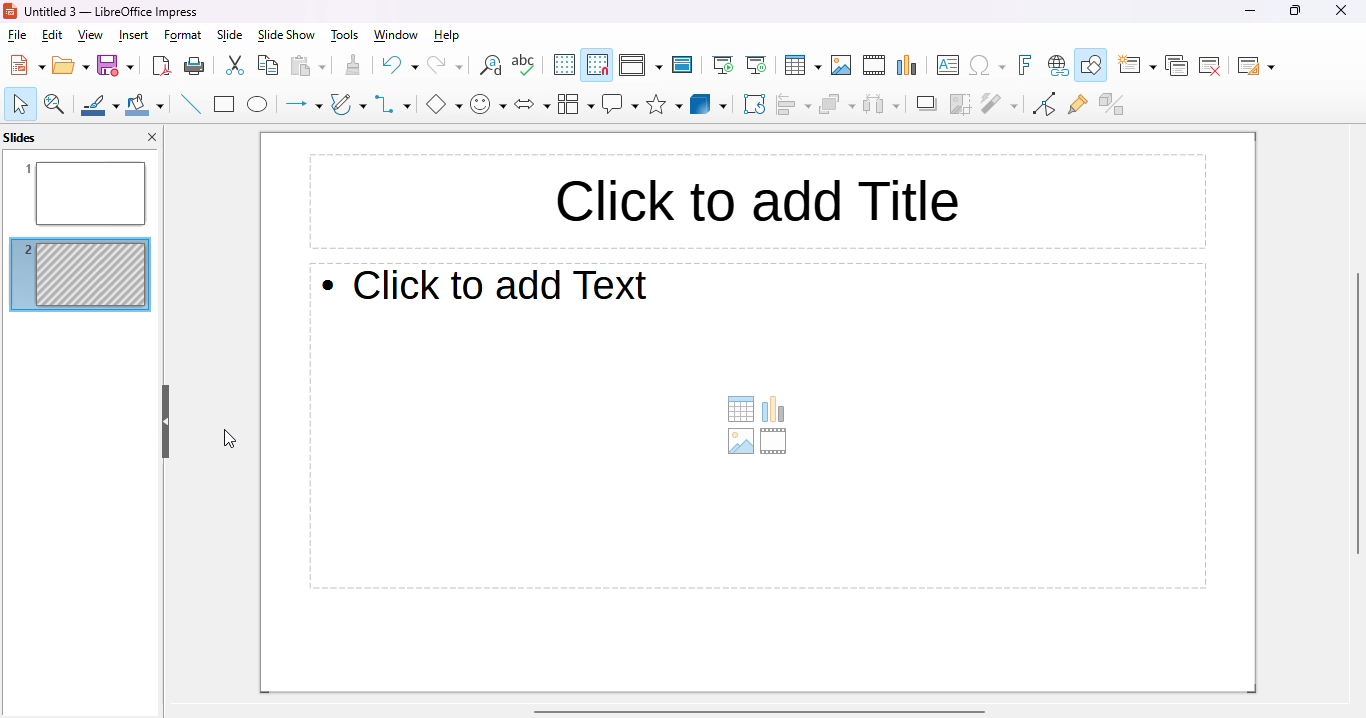 Image resolution: width=1366 pixels, height=718 pixels. I want to click on slide layout, so click(1256, 66).